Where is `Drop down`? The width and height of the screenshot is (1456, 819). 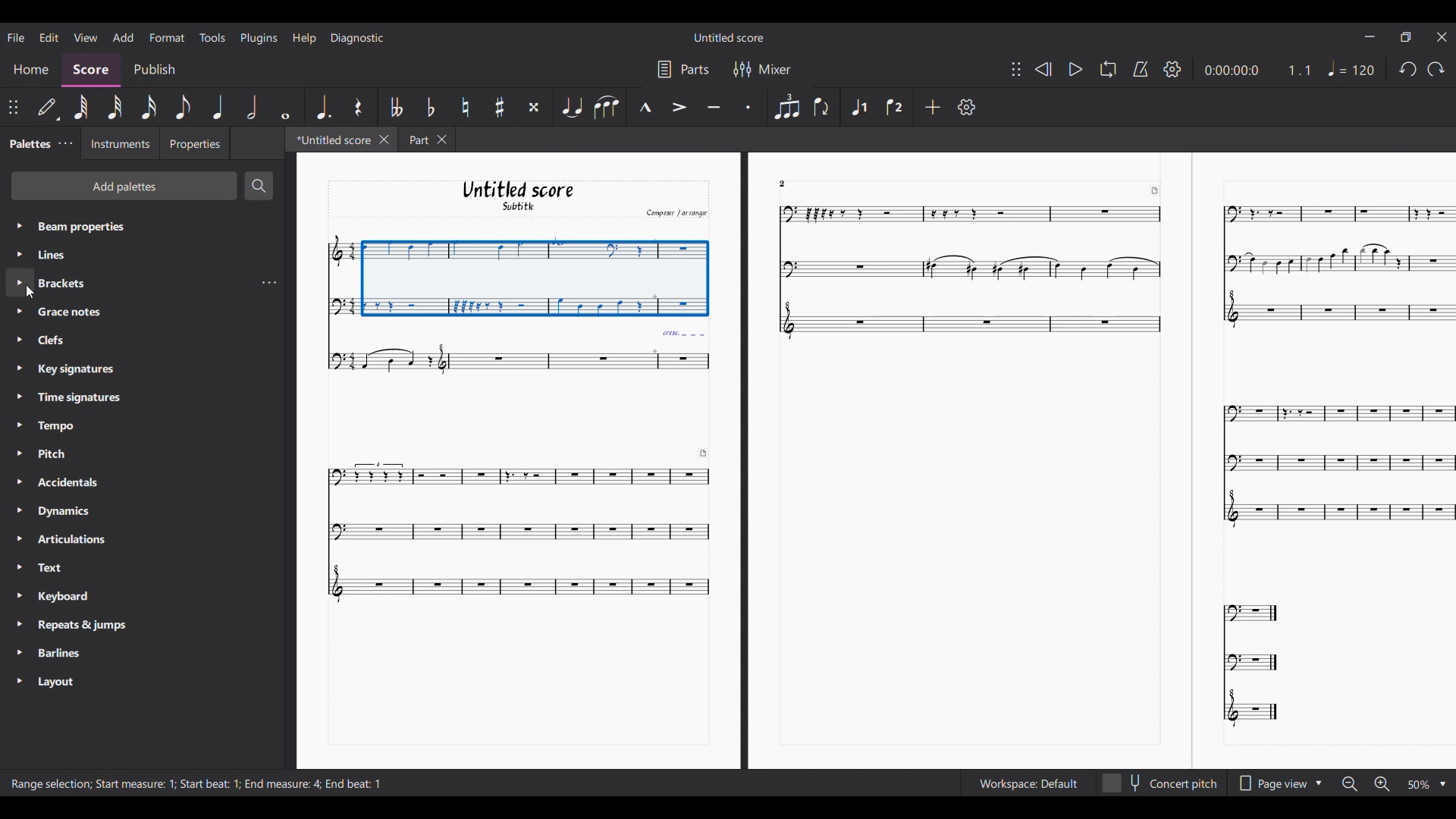
Drop down is located at coordinates (1321, 782).